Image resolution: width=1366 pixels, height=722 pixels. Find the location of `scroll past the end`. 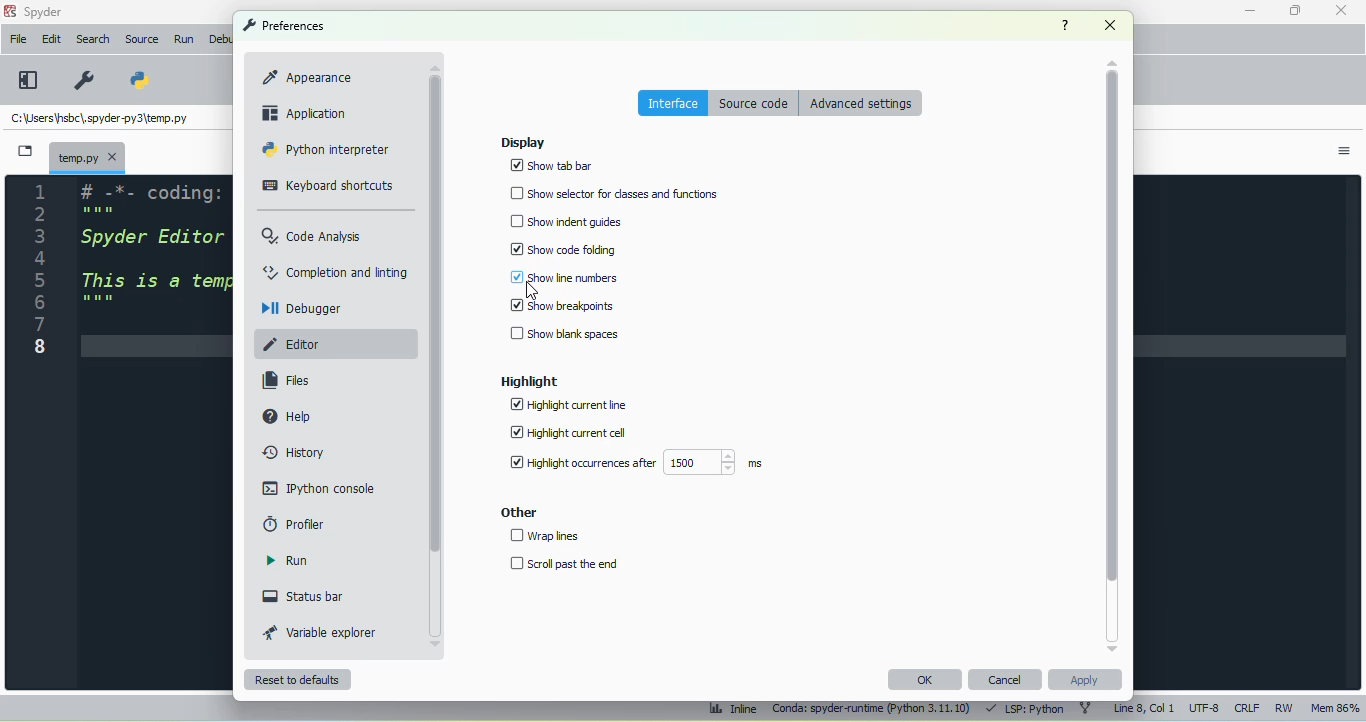

scroll past the end is located at coordinates (565, 564).